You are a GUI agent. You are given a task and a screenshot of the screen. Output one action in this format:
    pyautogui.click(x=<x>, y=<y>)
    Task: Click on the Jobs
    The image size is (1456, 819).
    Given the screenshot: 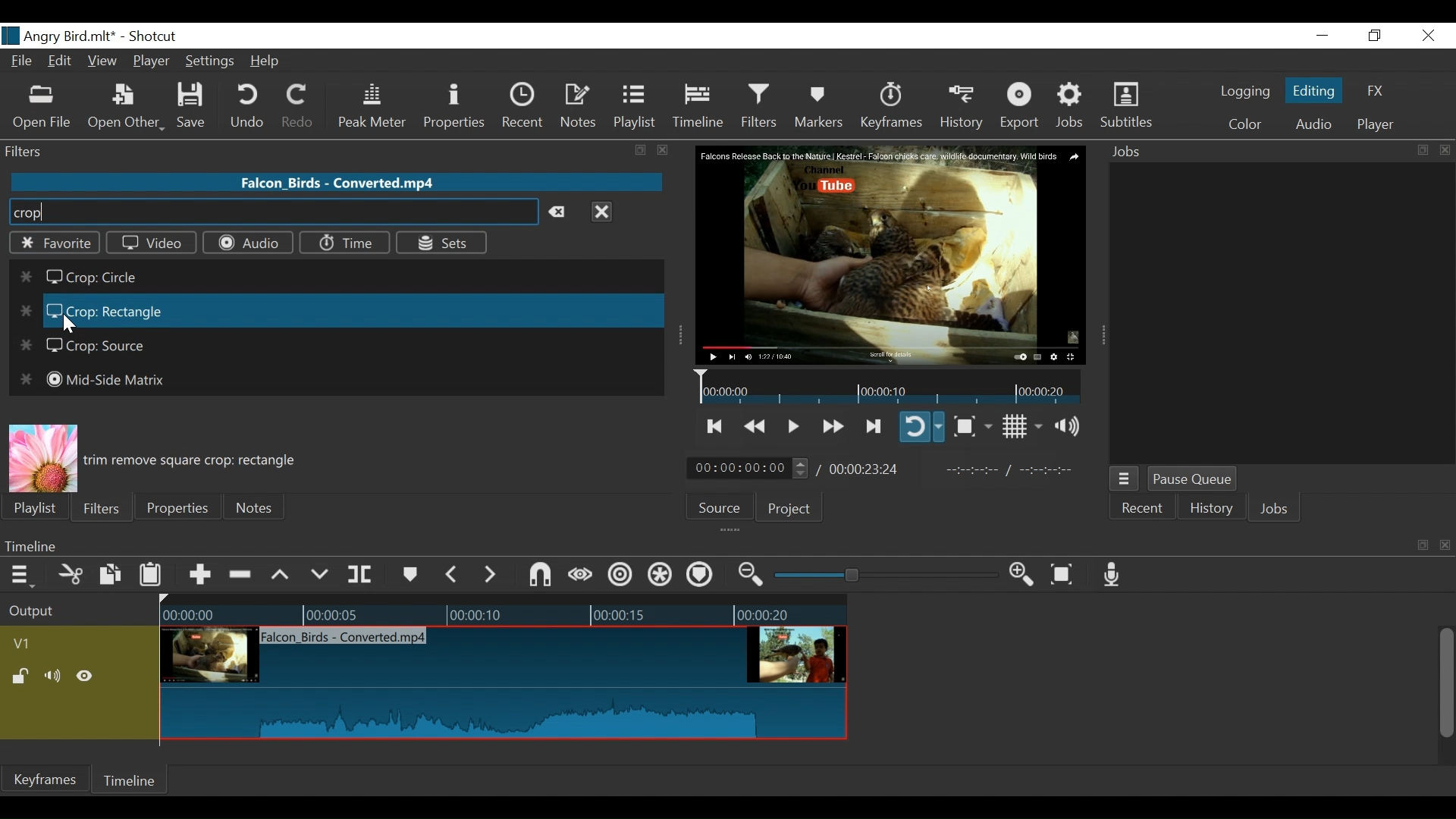 What is the action you would take?
    pyautogui.click(x=1131, y=152)
    